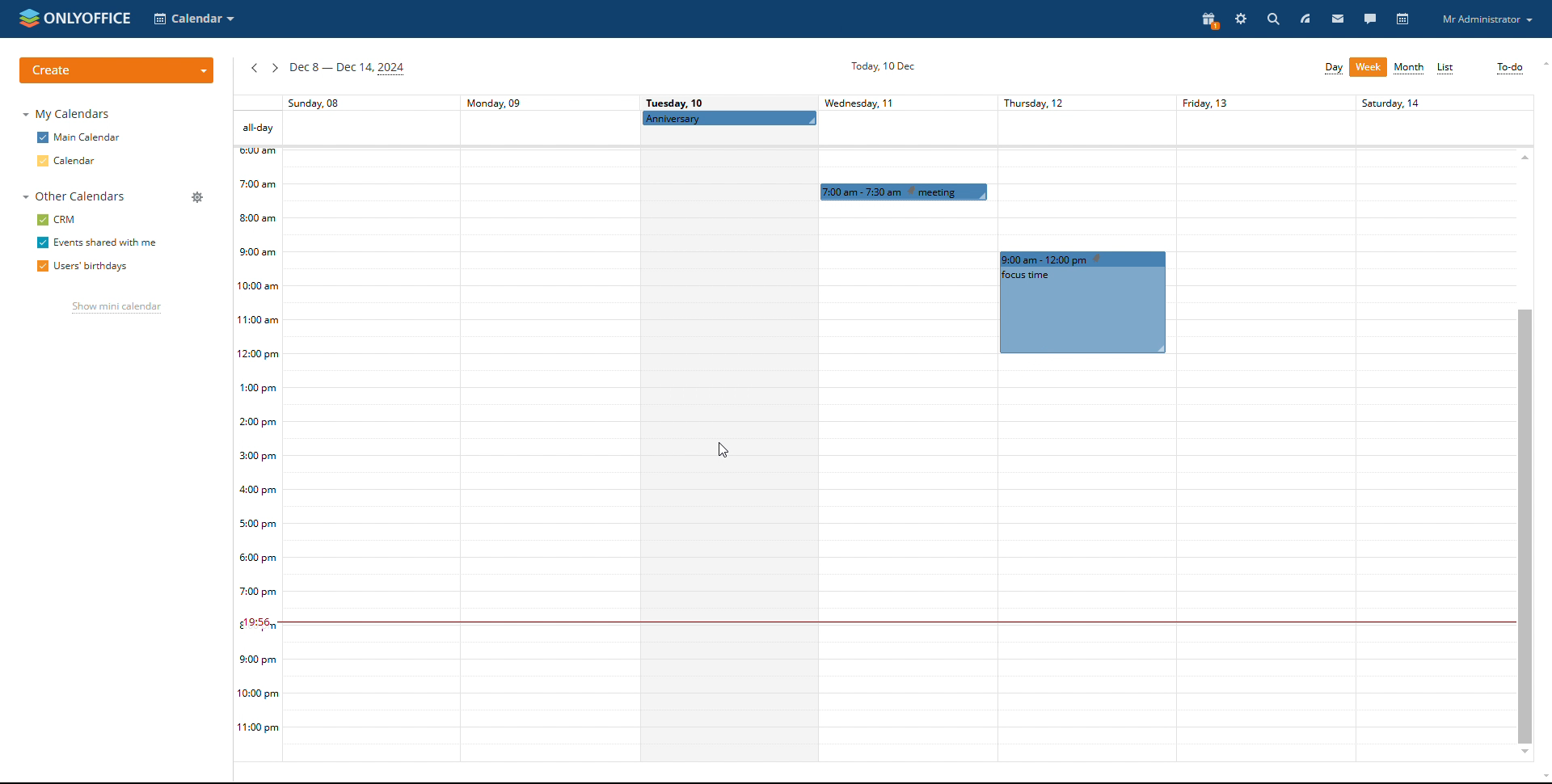 Image resolution: width=1552 pixels, height=784 pixels. What do you see at coordinates (905, 192) in the screenshot?
I see `scheduled event` at bounding box center [905, 192].